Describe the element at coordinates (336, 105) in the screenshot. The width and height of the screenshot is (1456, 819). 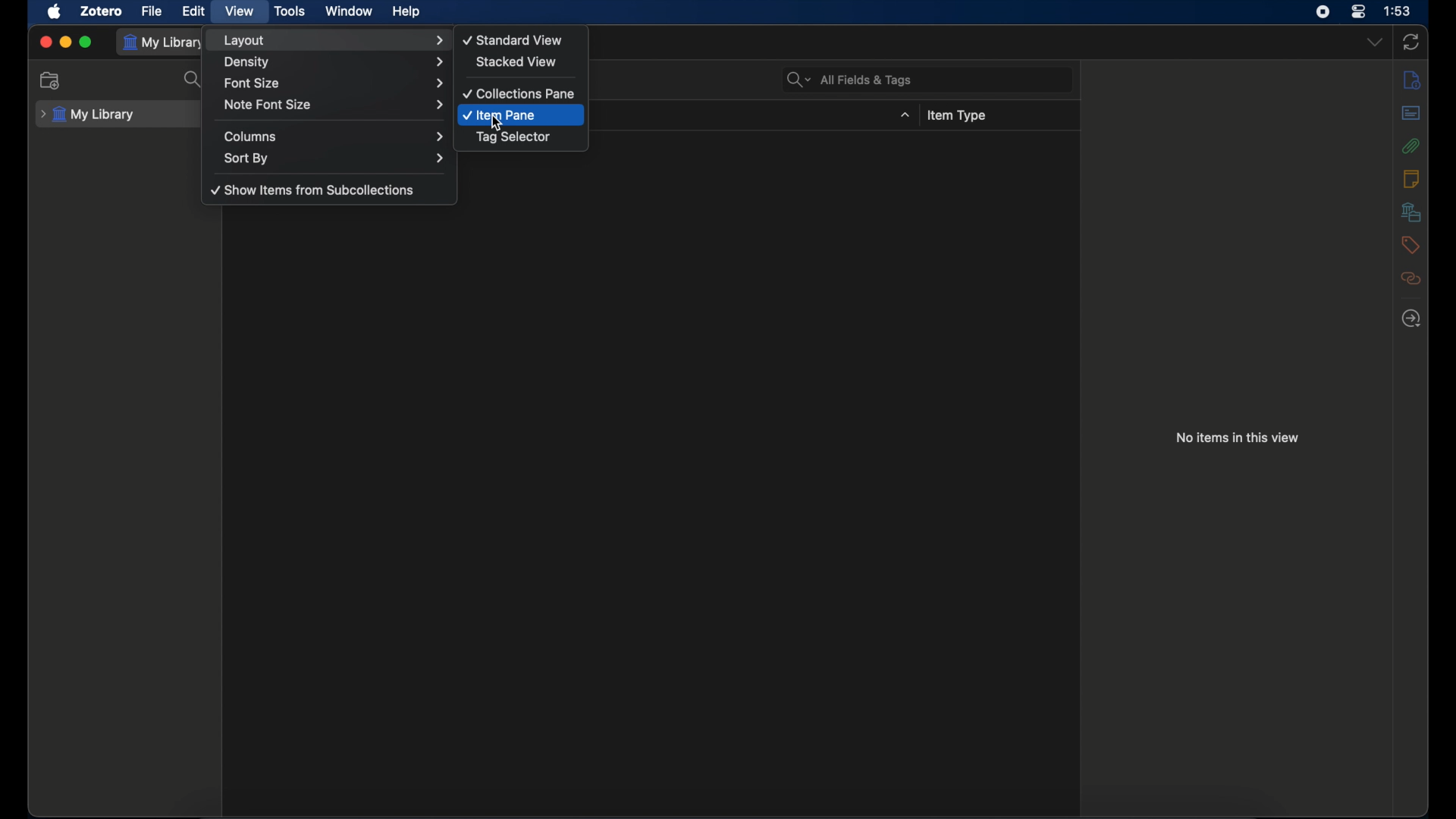
I see `note font size` at that location.